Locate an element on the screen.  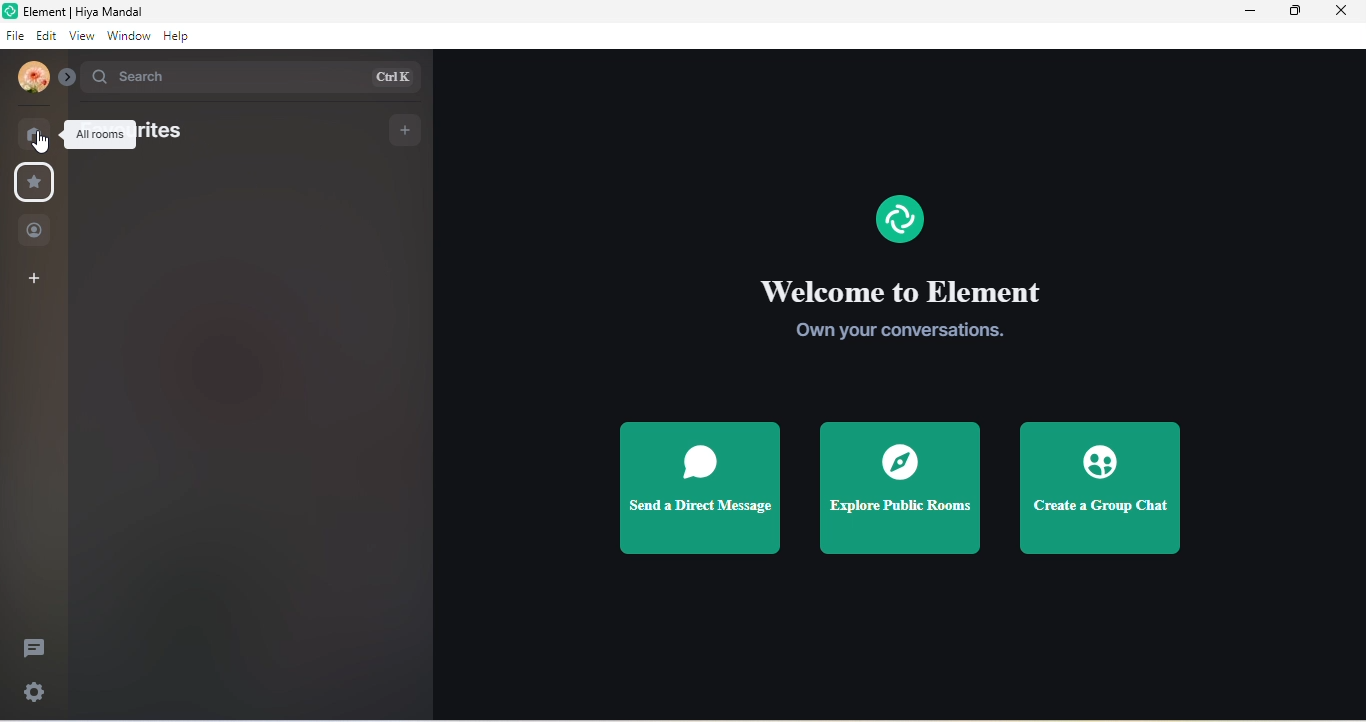
Window is located at coordinates (129, 35).